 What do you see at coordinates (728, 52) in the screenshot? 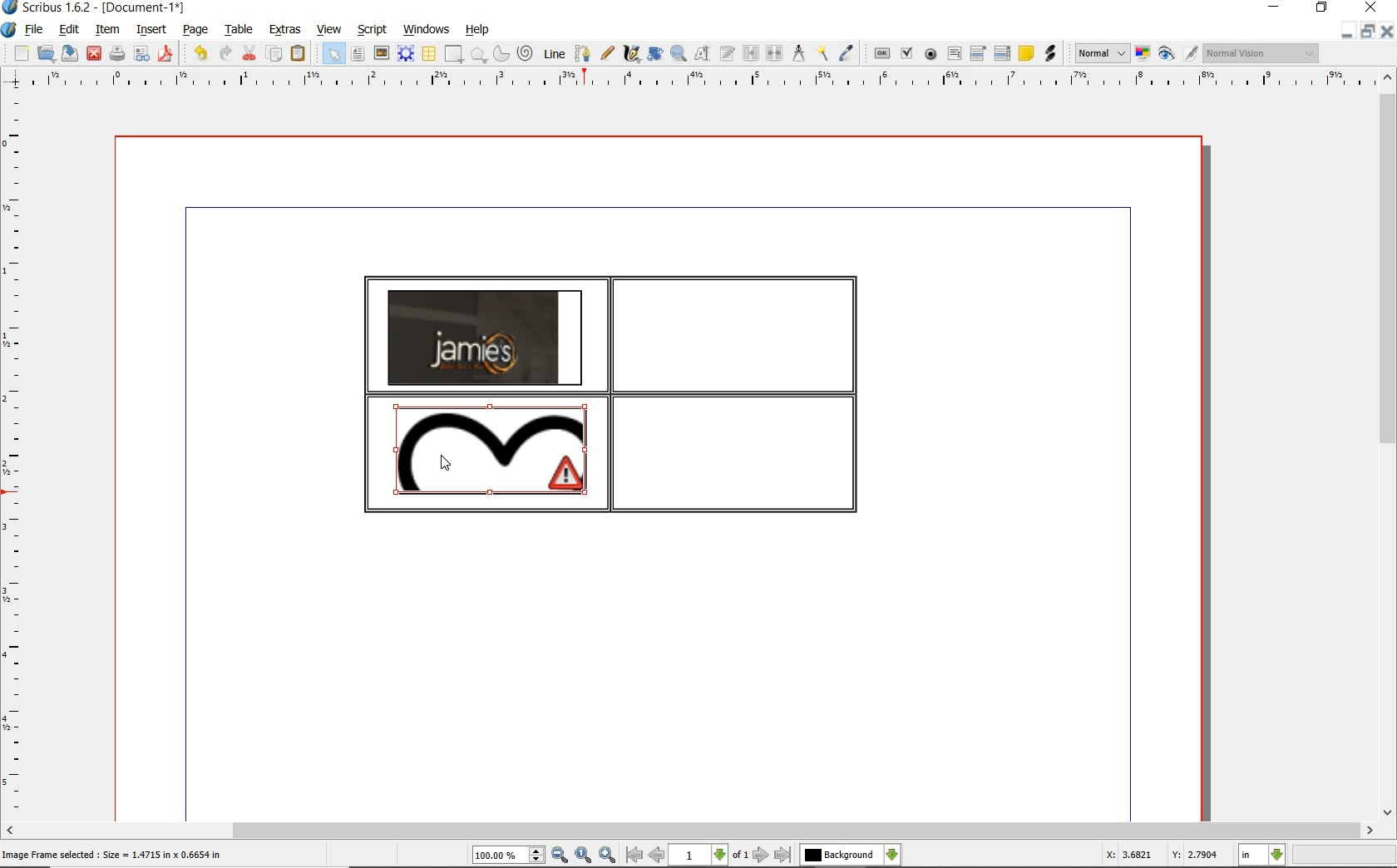
I see `edit text with story editor` at bounding box center [728, 52].